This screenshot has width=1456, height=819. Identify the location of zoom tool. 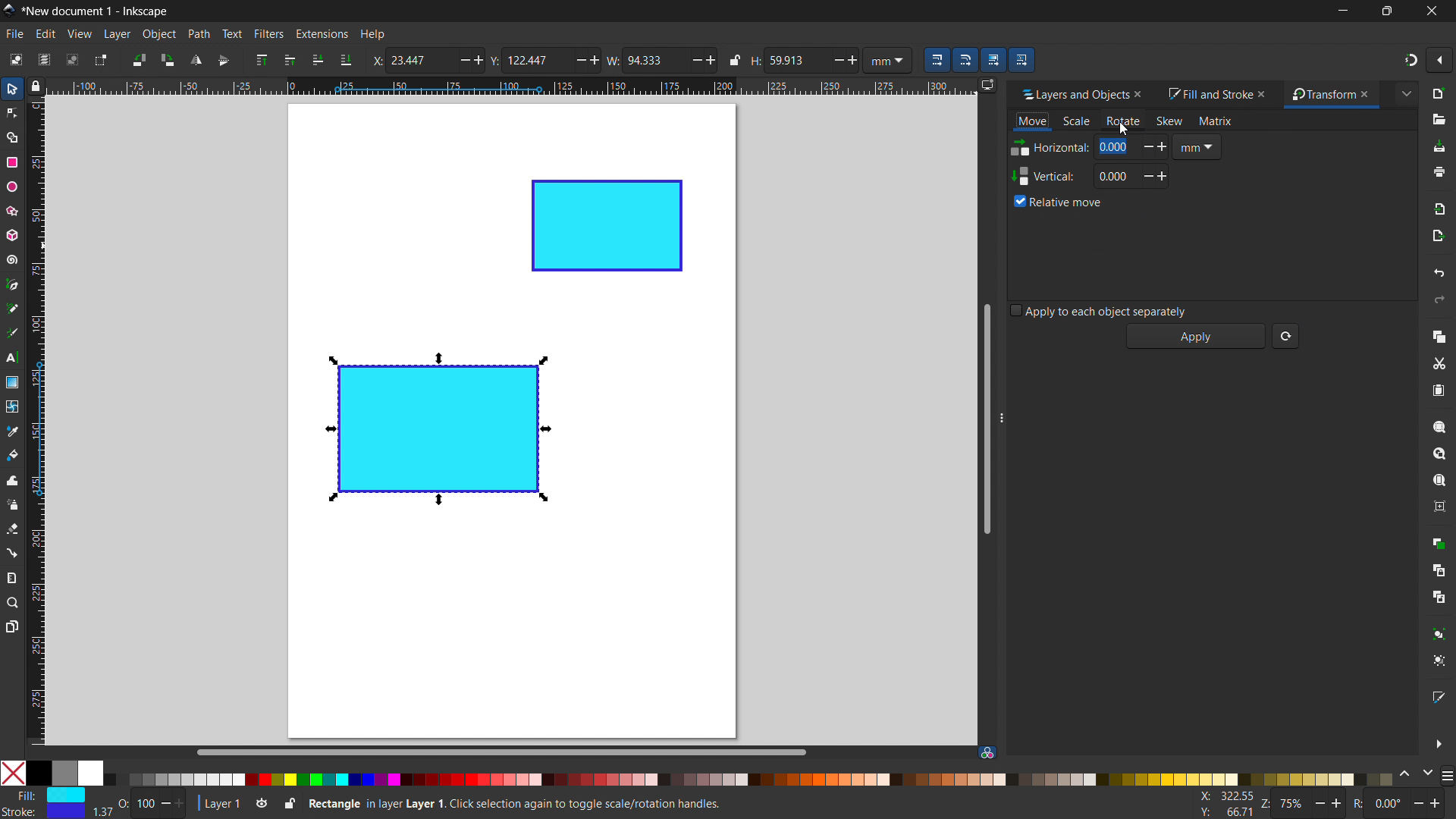
(13, 601).